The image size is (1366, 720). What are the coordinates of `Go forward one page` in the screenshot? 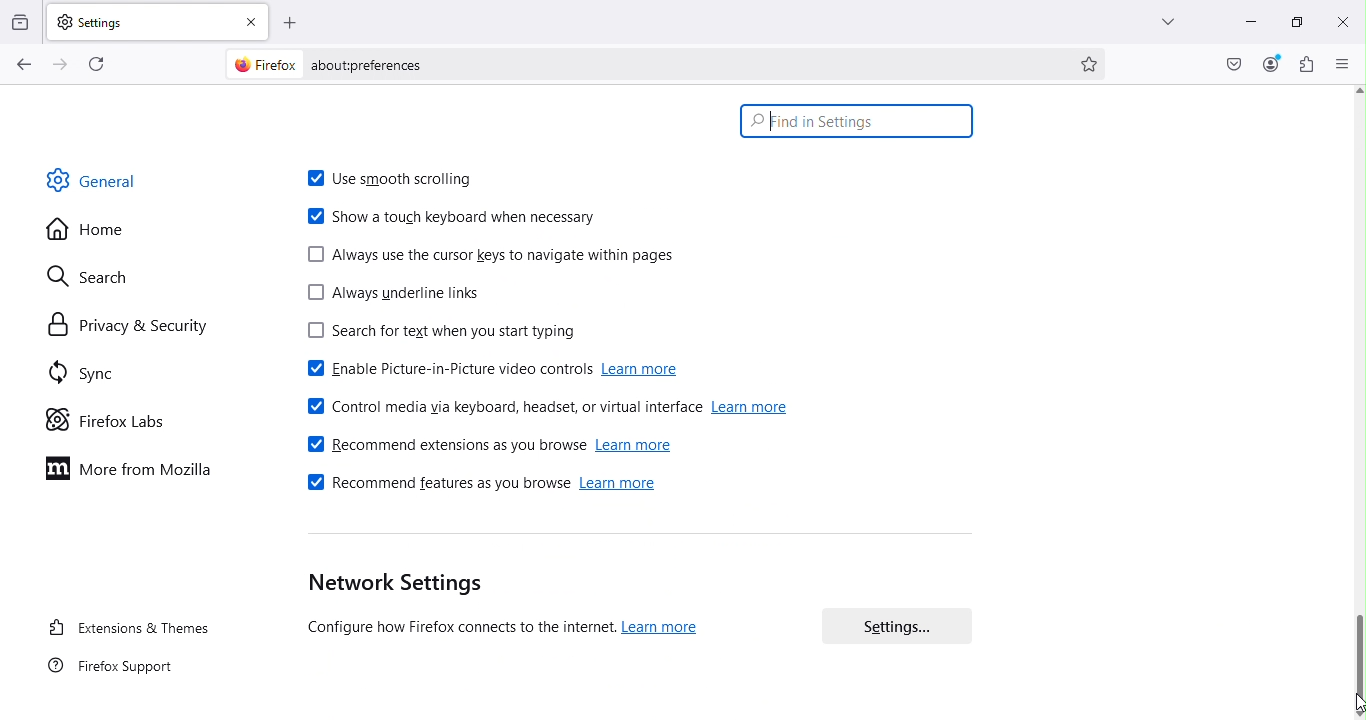 It's located at (63, 63).